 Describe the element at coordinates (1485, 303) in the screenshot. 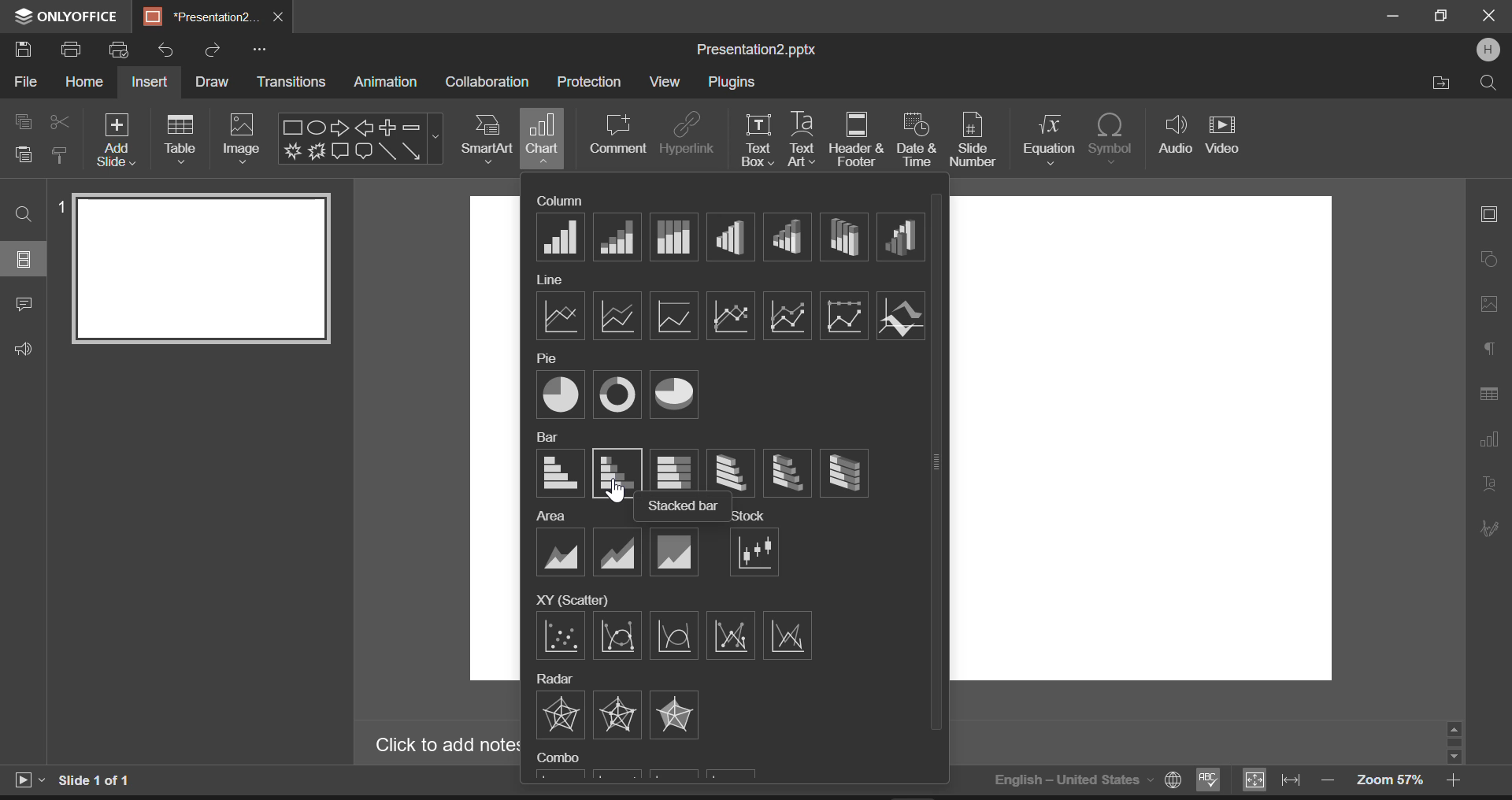

I see `Picture Settings` at that location.